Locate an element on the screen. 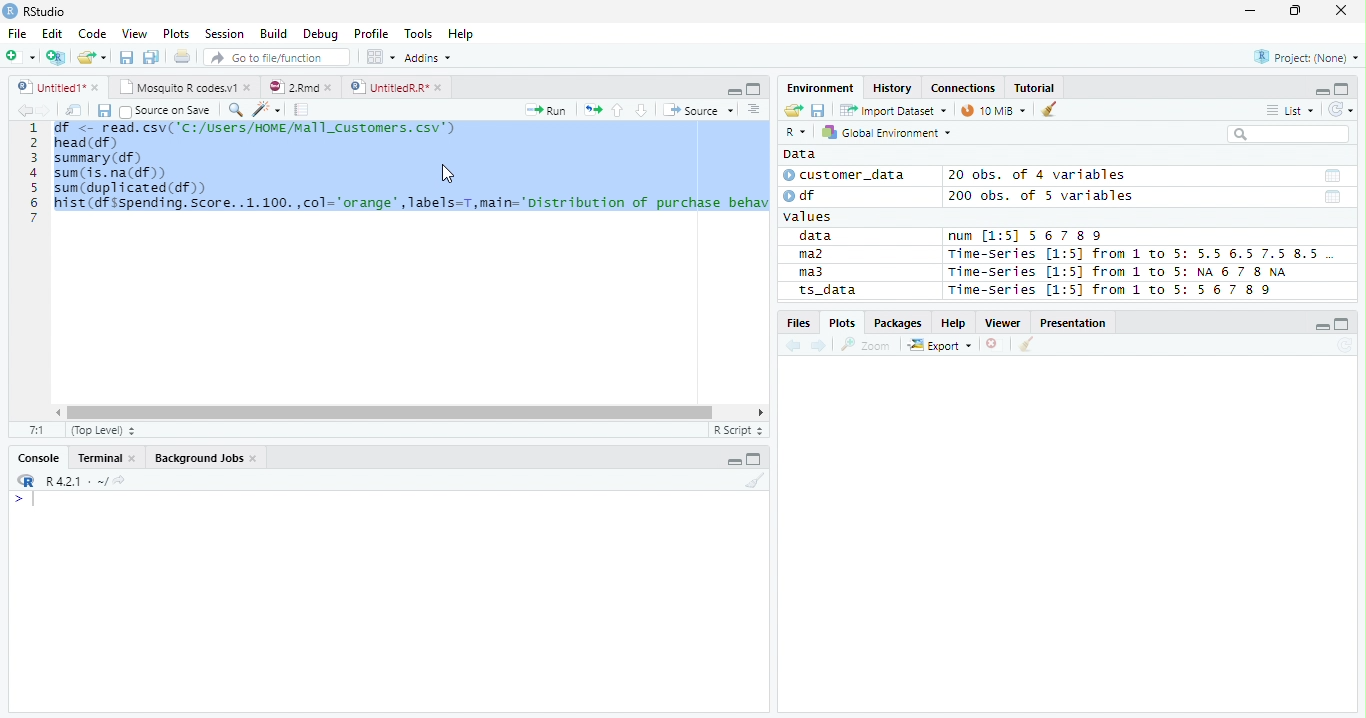 The width and height of the screenshot is (1366, 718). Background jobs is located at coordinates (206, 460).